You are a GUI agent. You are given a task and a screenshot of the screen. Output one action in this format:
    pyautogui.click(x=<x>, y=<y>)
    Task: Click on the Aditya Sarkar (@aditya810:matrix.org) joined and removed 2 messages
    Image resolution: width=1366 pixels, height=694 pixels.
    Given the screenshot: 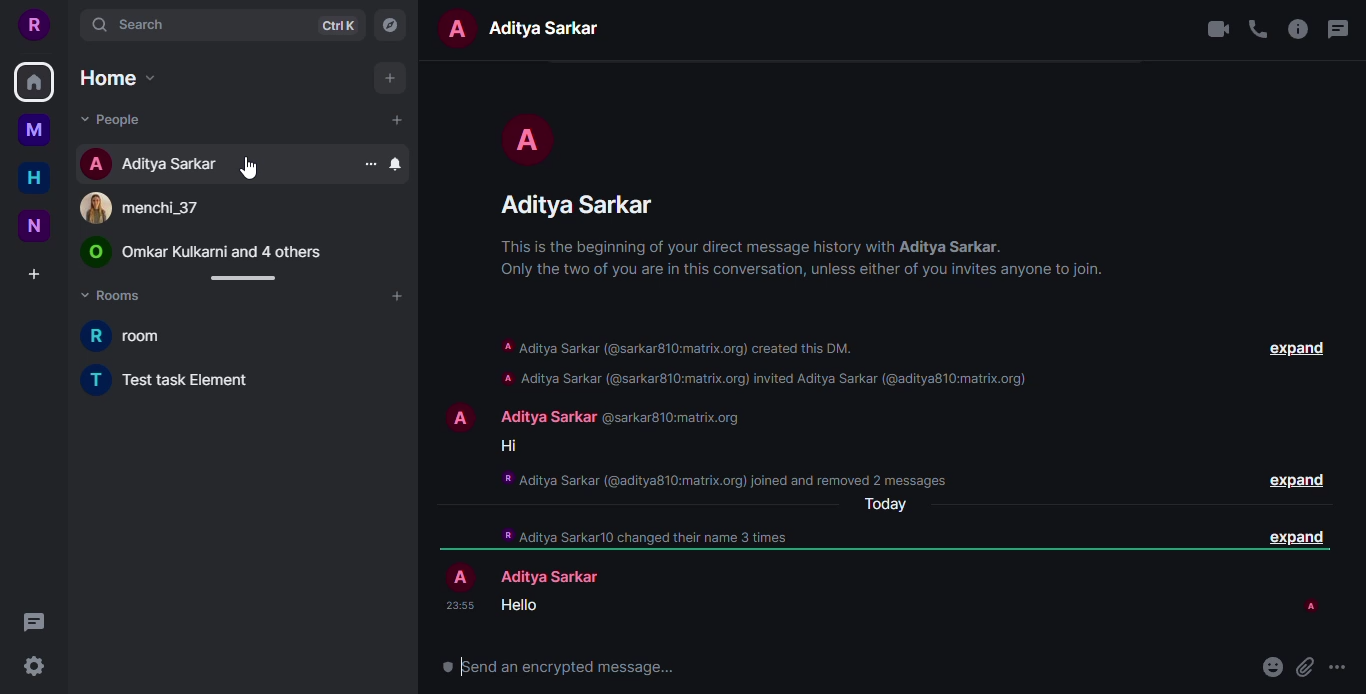 What is the action you would take?
    pyautogui.click(x=719, y=480)
    